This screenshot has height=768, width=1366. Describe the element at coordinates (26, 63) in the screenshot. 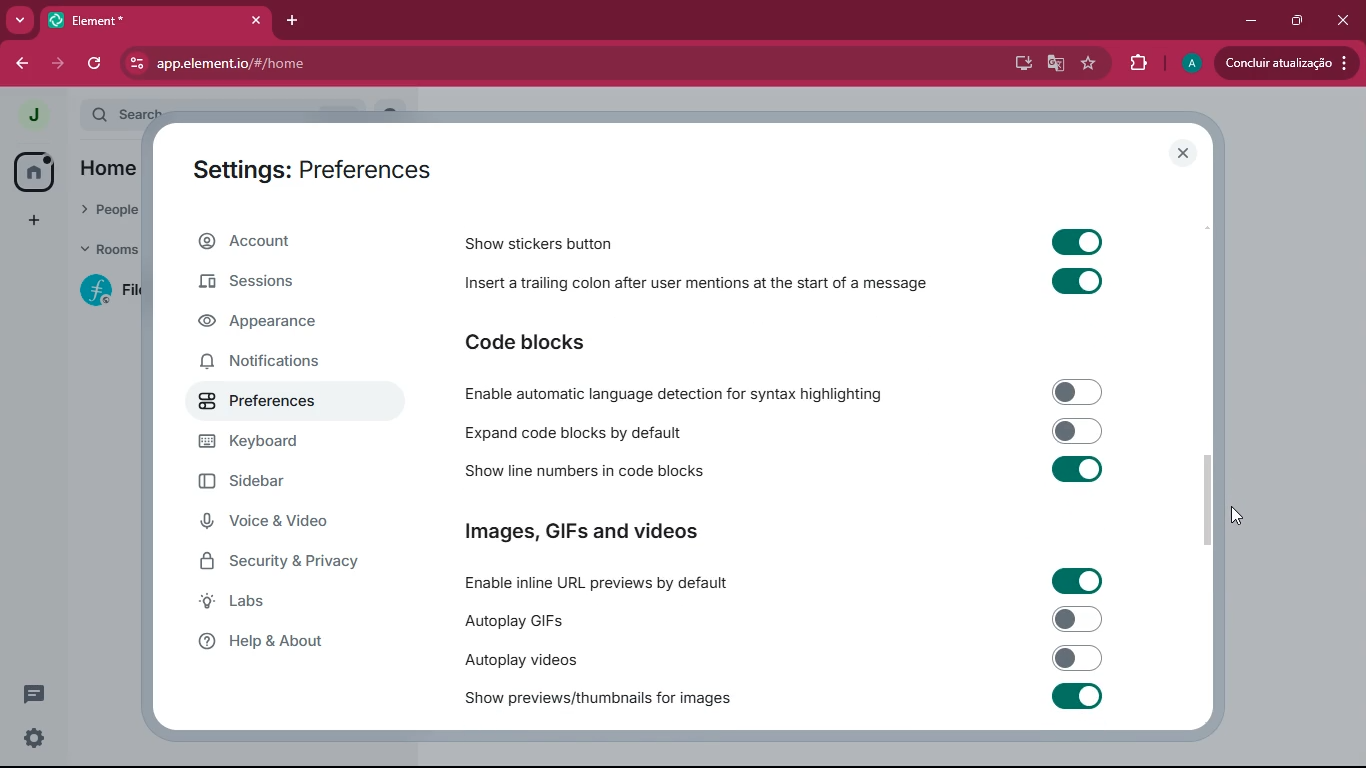

I see `back` at that location.